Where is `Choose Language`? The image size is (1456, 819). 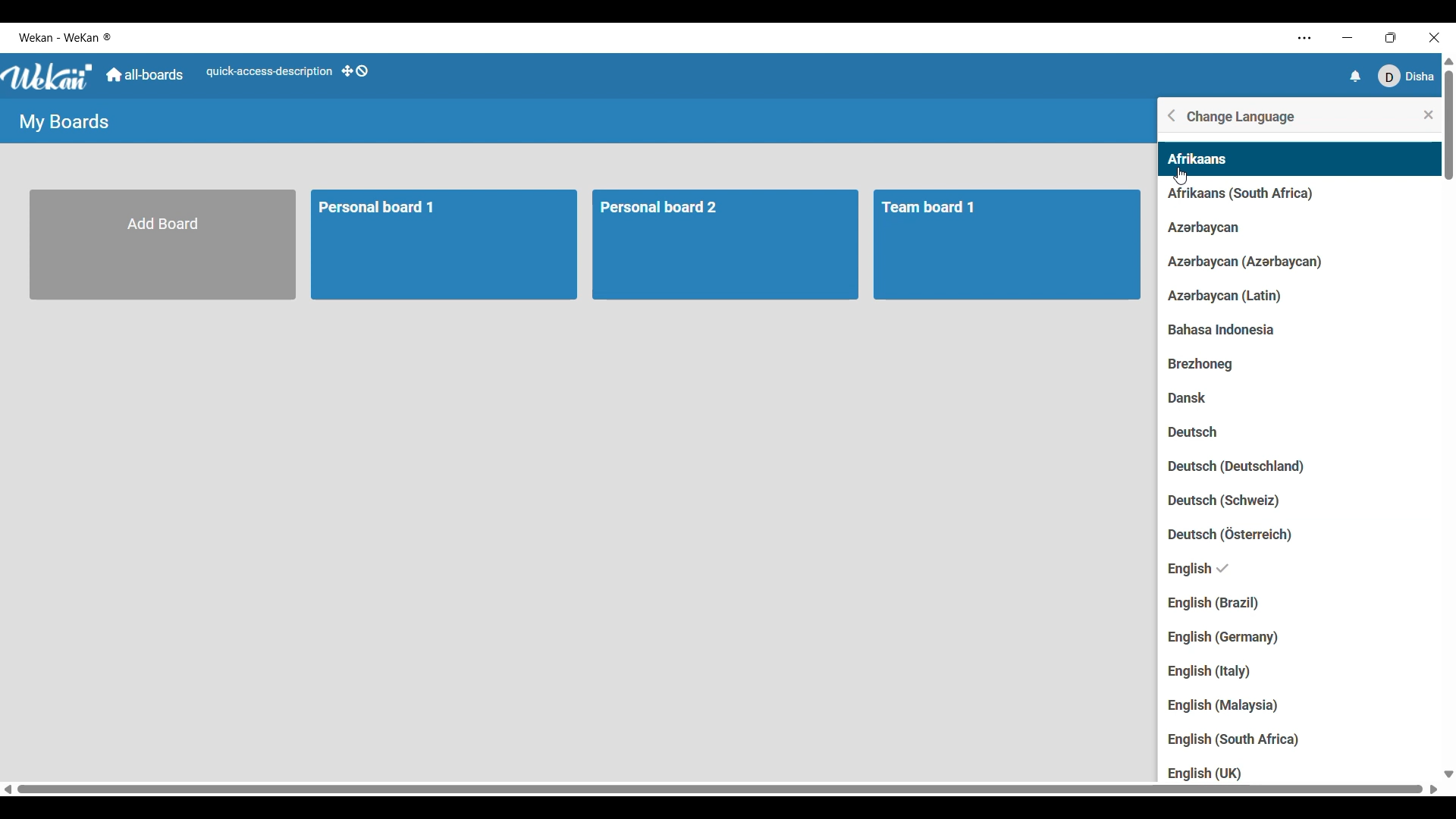
Choose Language is located at coordinates (1242, 117).